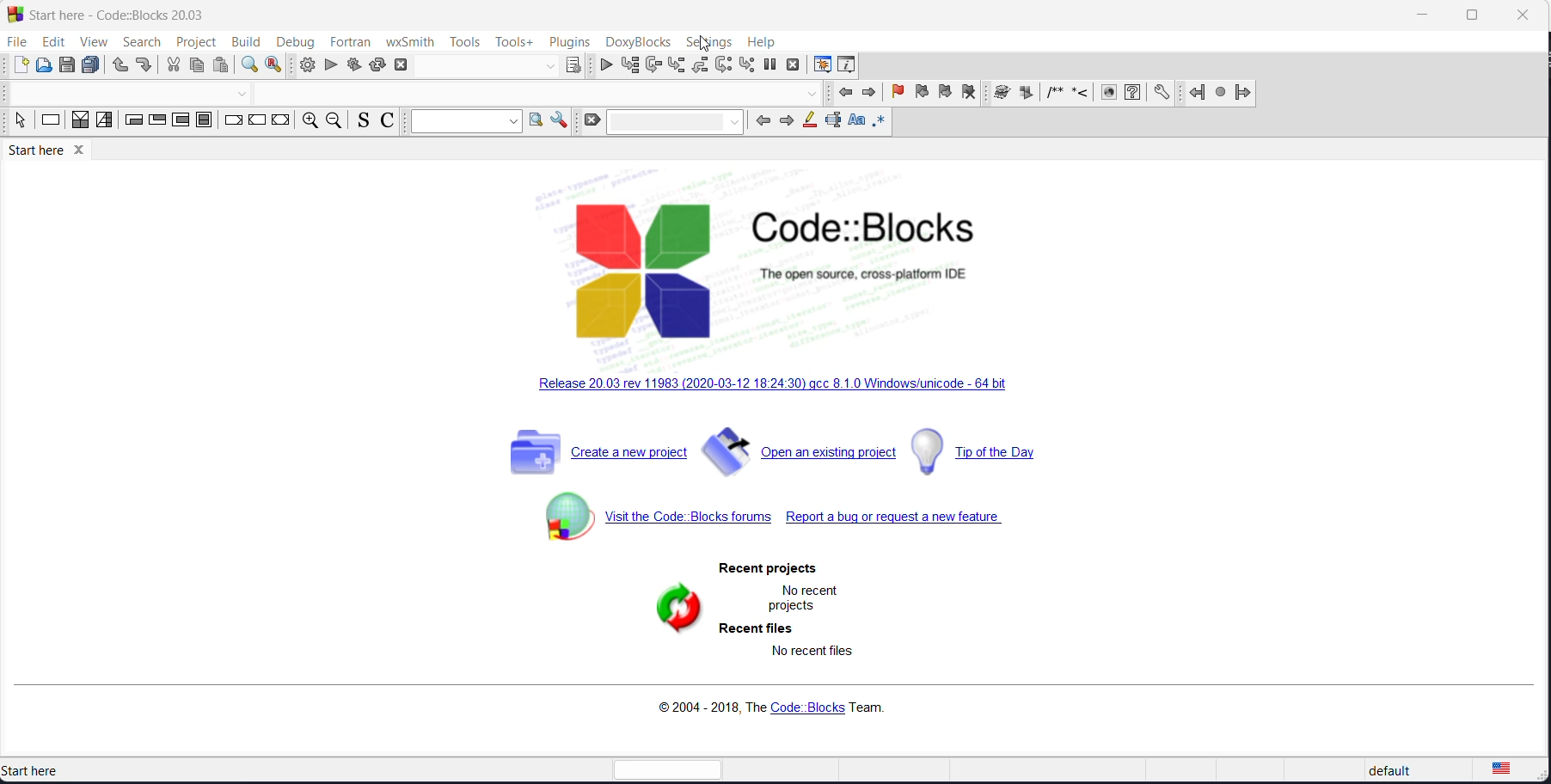 This screenshot has width=1551, height=784. What do you see at coordinates (17, 123) in the screenshot?
I see `select` at bounding box center [17, 123].